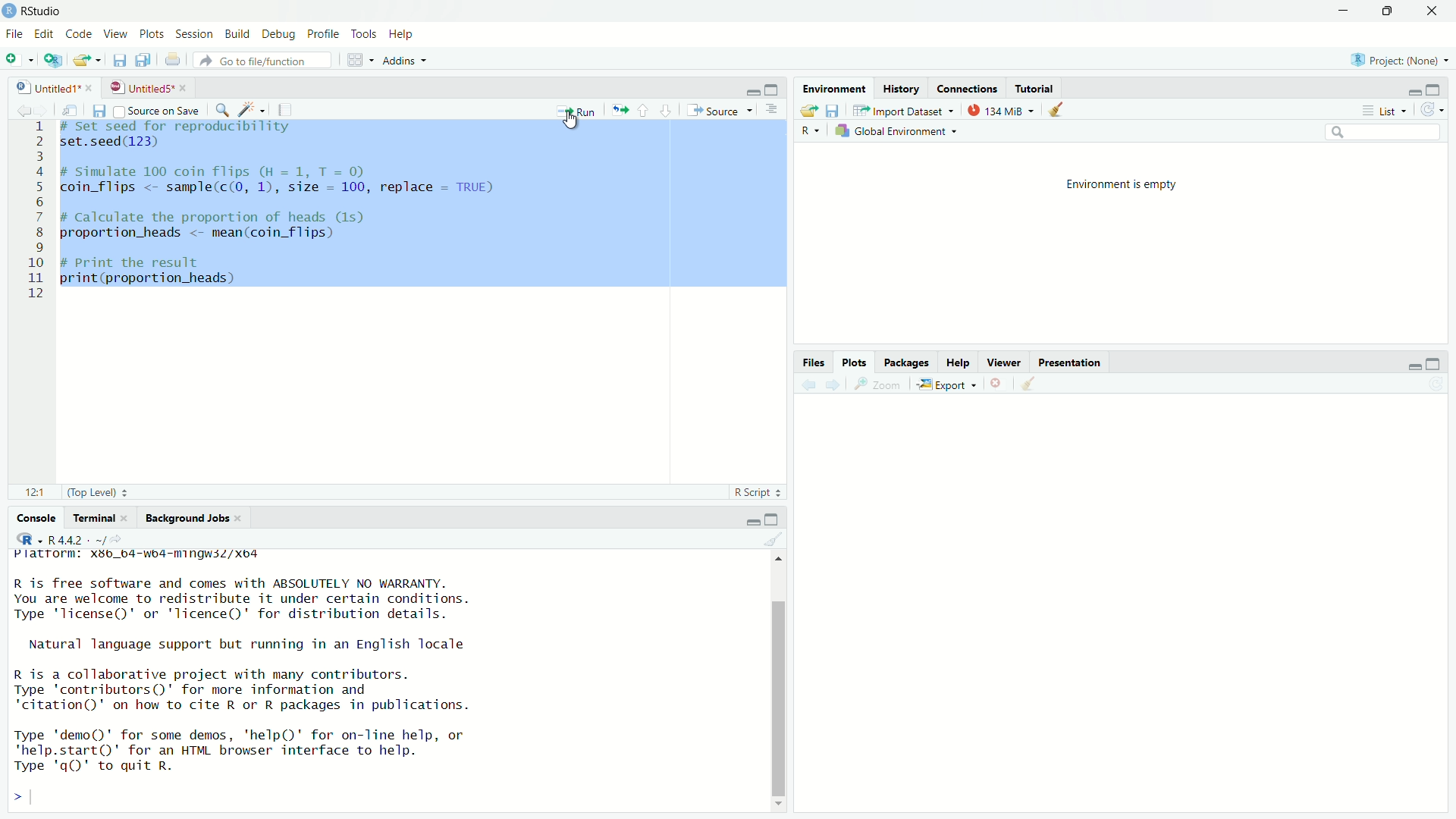 This screenshot has width=1456, height=819. Describe the element at coordinates (270, 690) in the screenshot. I see `R 1s a collaborative project with many contributors.
Type 'contributors()' for more information and
‘citation()' on how to cite R or R packages in publications.` at that location.